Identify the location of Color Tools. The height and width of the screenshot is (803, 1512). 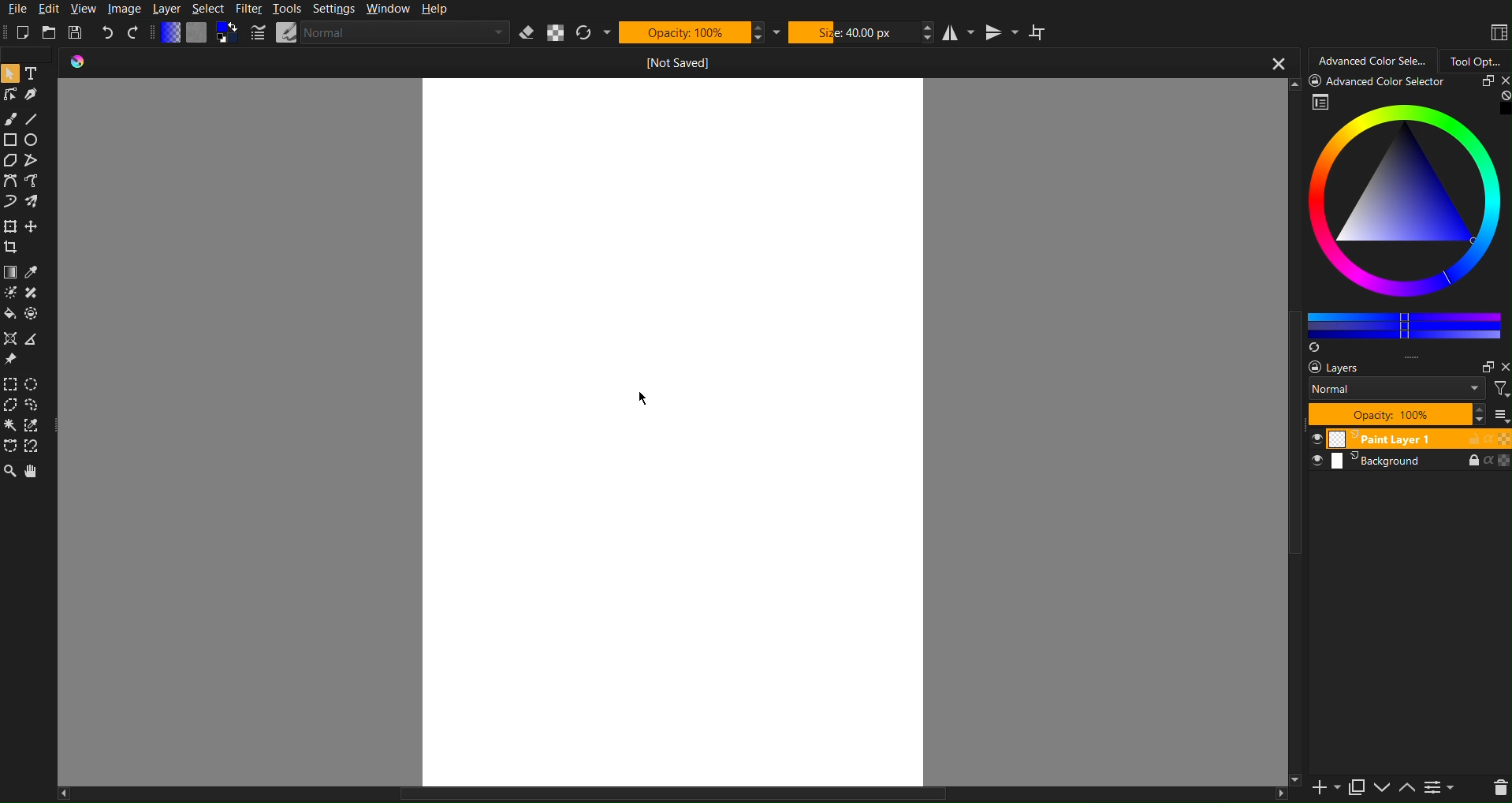
(28, 291).